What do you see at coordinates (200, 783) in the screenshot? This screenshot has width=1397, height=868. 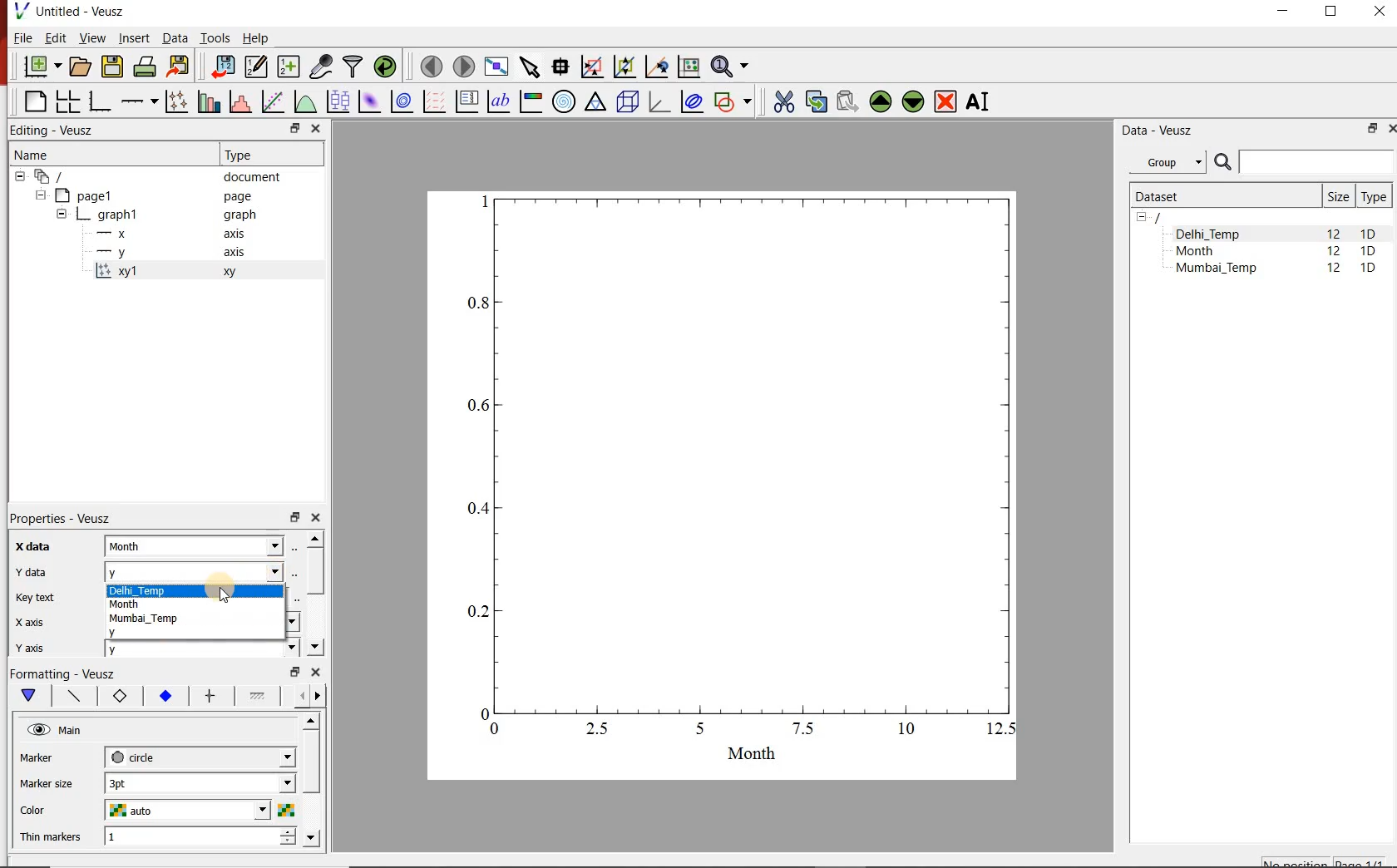 I see `3pt` at bounding box center [200, 783].